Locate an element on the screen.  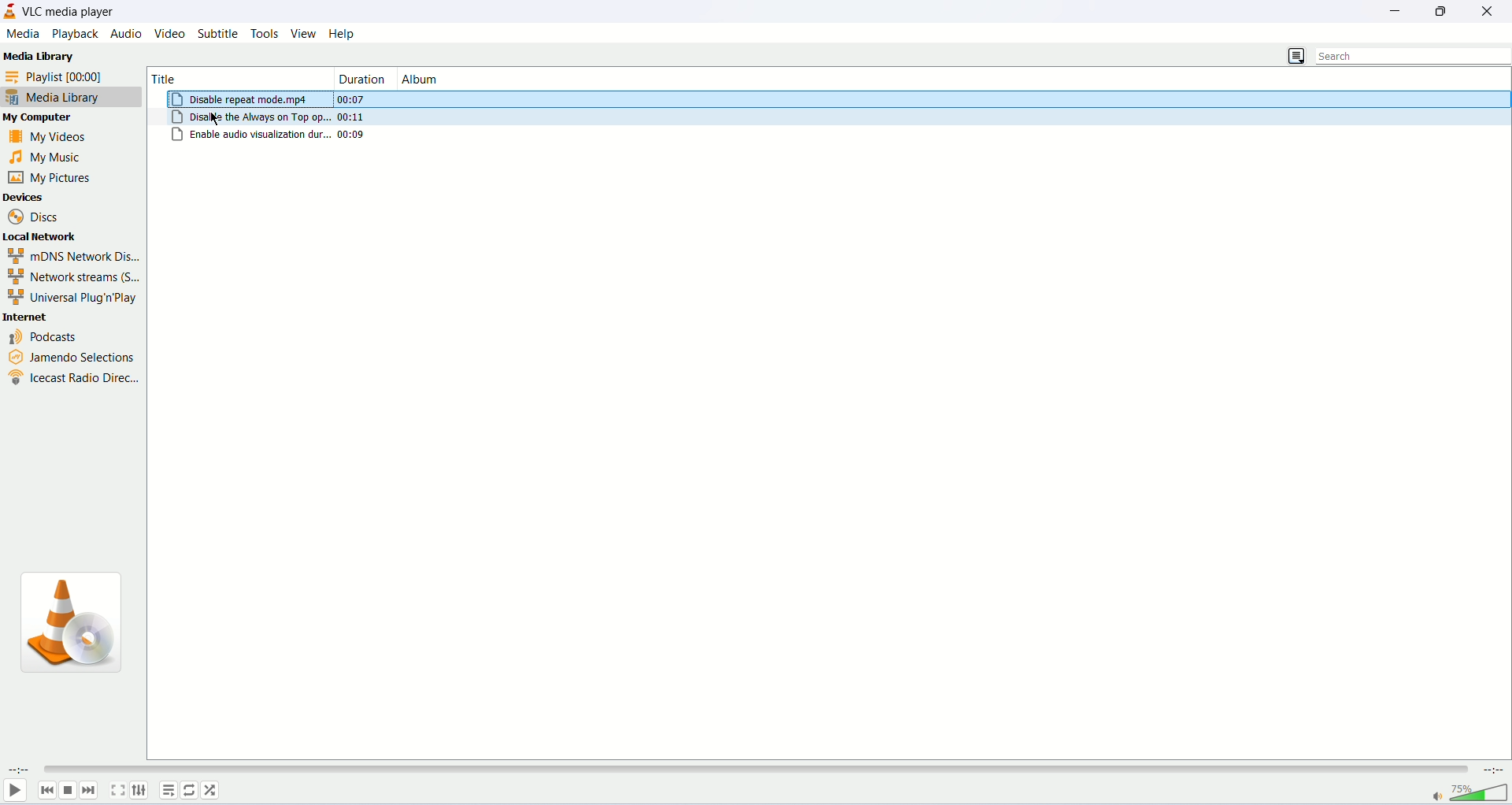
next is located at coordinates (89, 790).